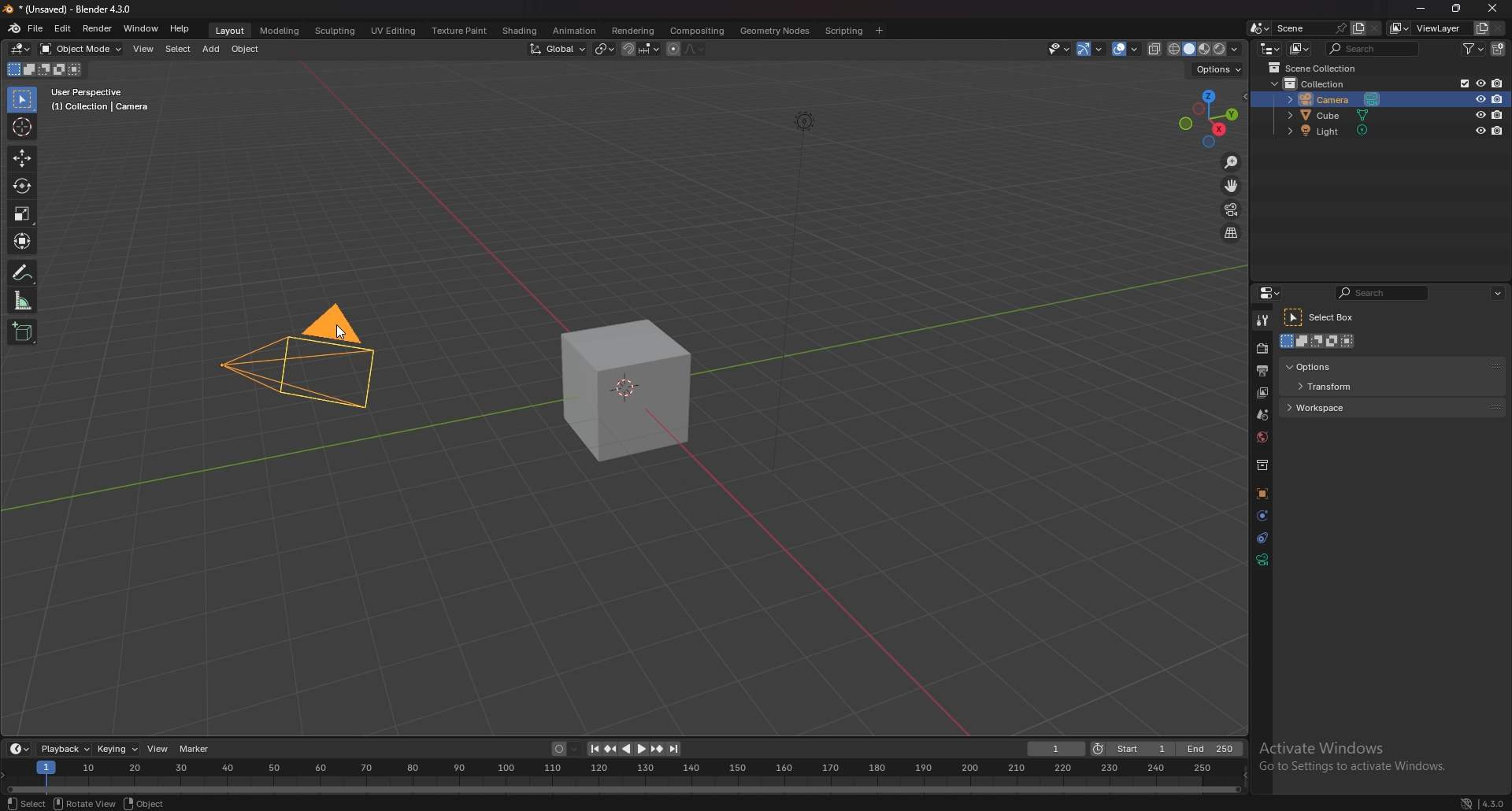  Describe the element at coordinates (1219, 69) in the screenshot. I see `options` at that location.